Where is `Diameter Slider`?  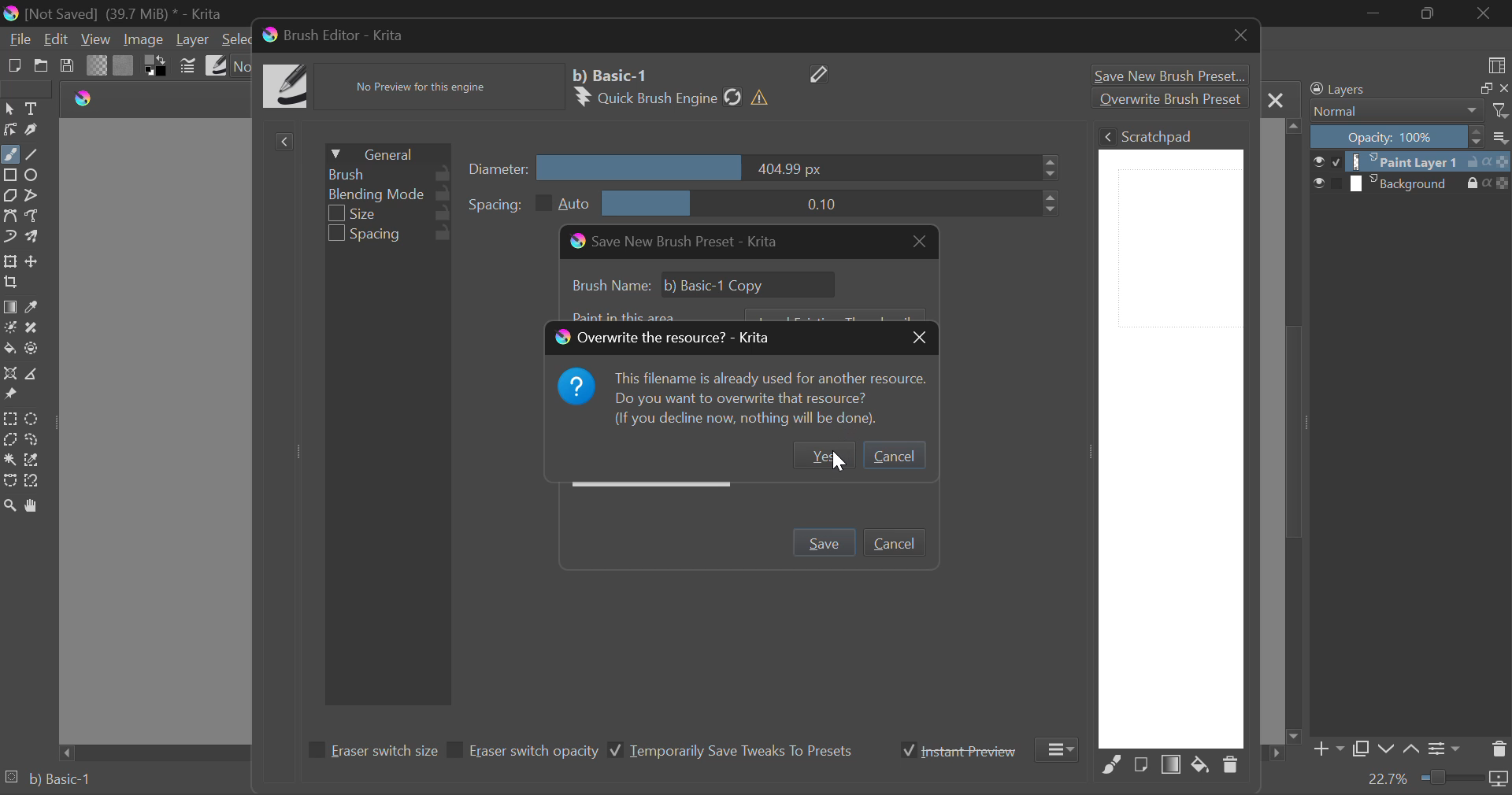 Diameter Slider is located at coordinates (766, 168).